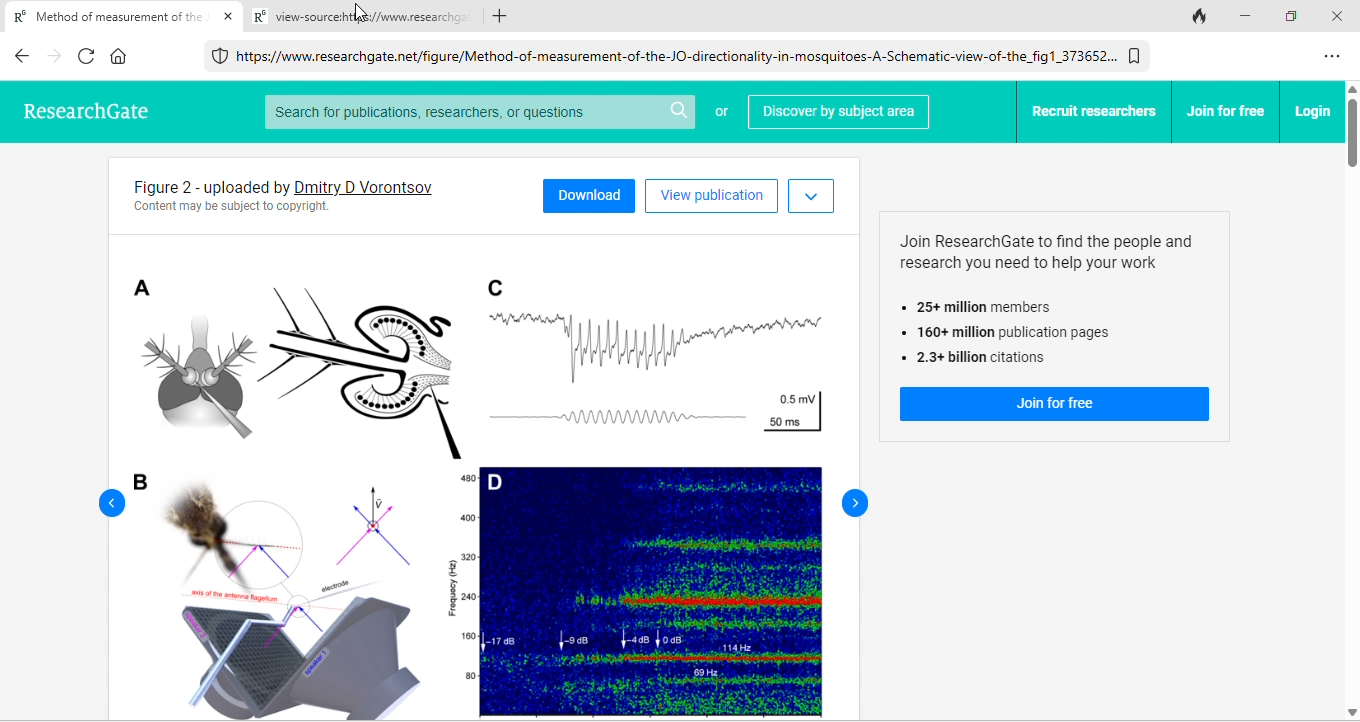 The image size is (1360, 722). I want to click on close current tab, so click(228, 18).